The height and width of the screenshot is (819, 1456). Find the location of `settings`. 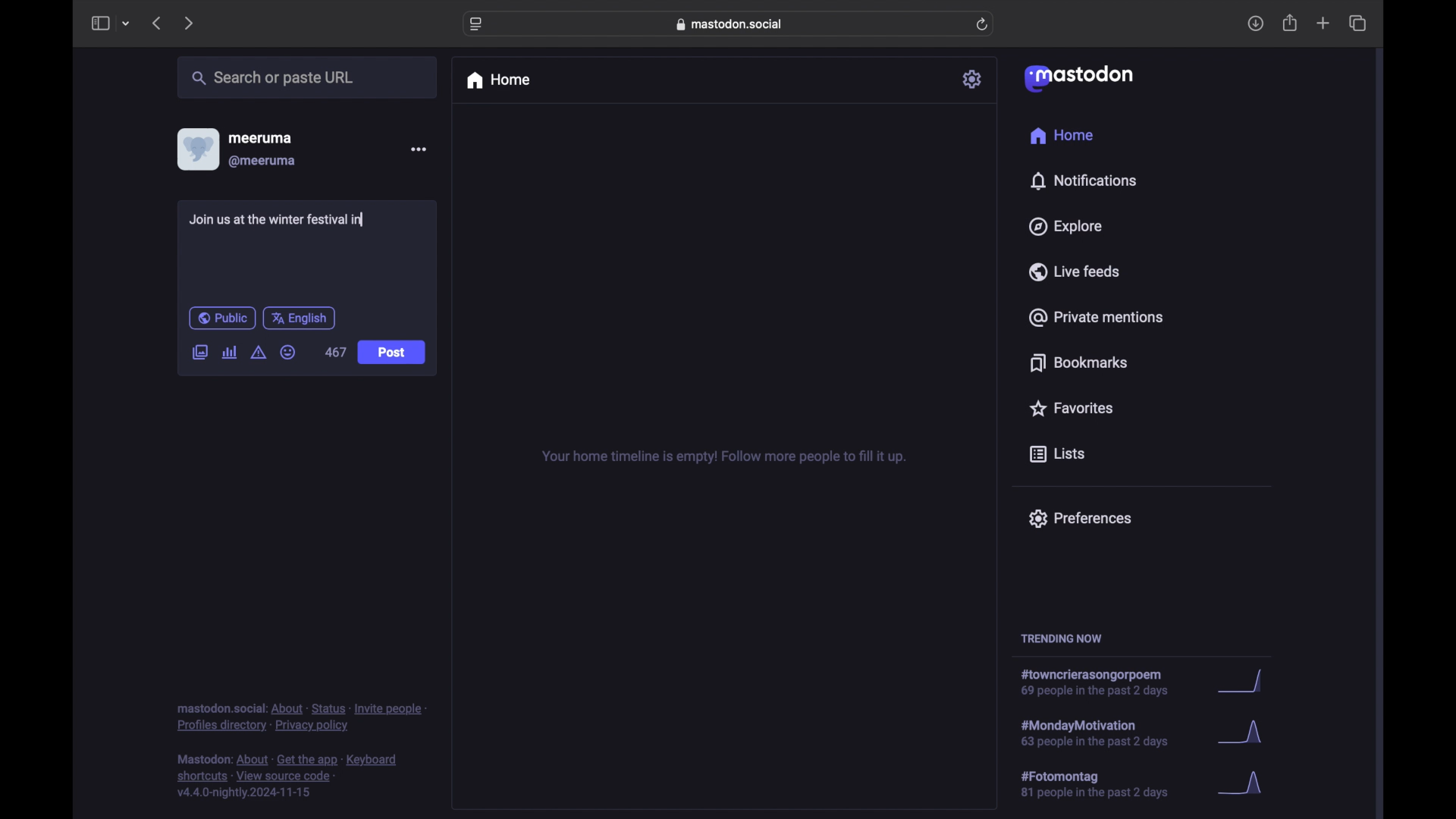

settings is located at coordinates (974, 79).